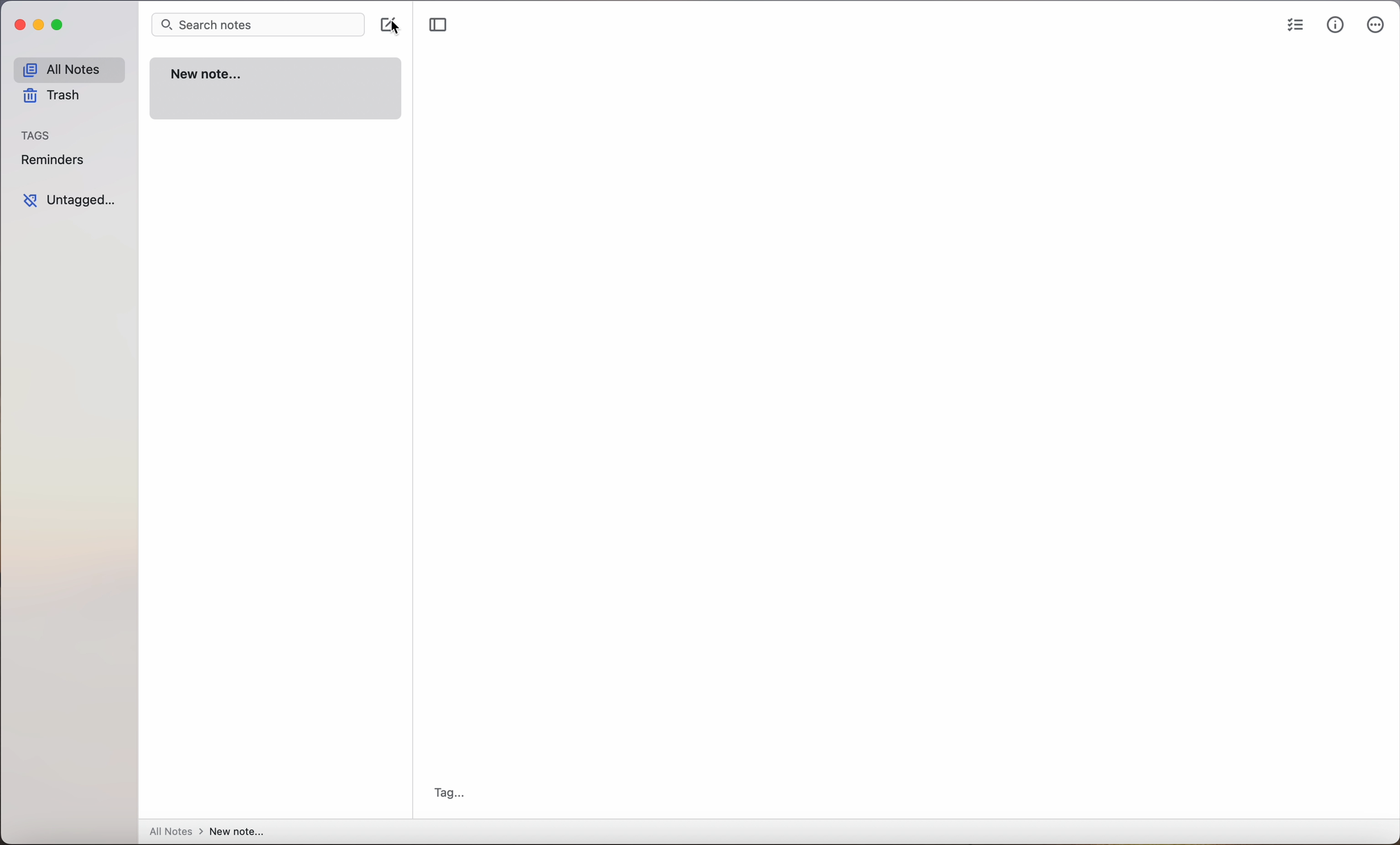  I want to click on metrics, so click(1335, 26).